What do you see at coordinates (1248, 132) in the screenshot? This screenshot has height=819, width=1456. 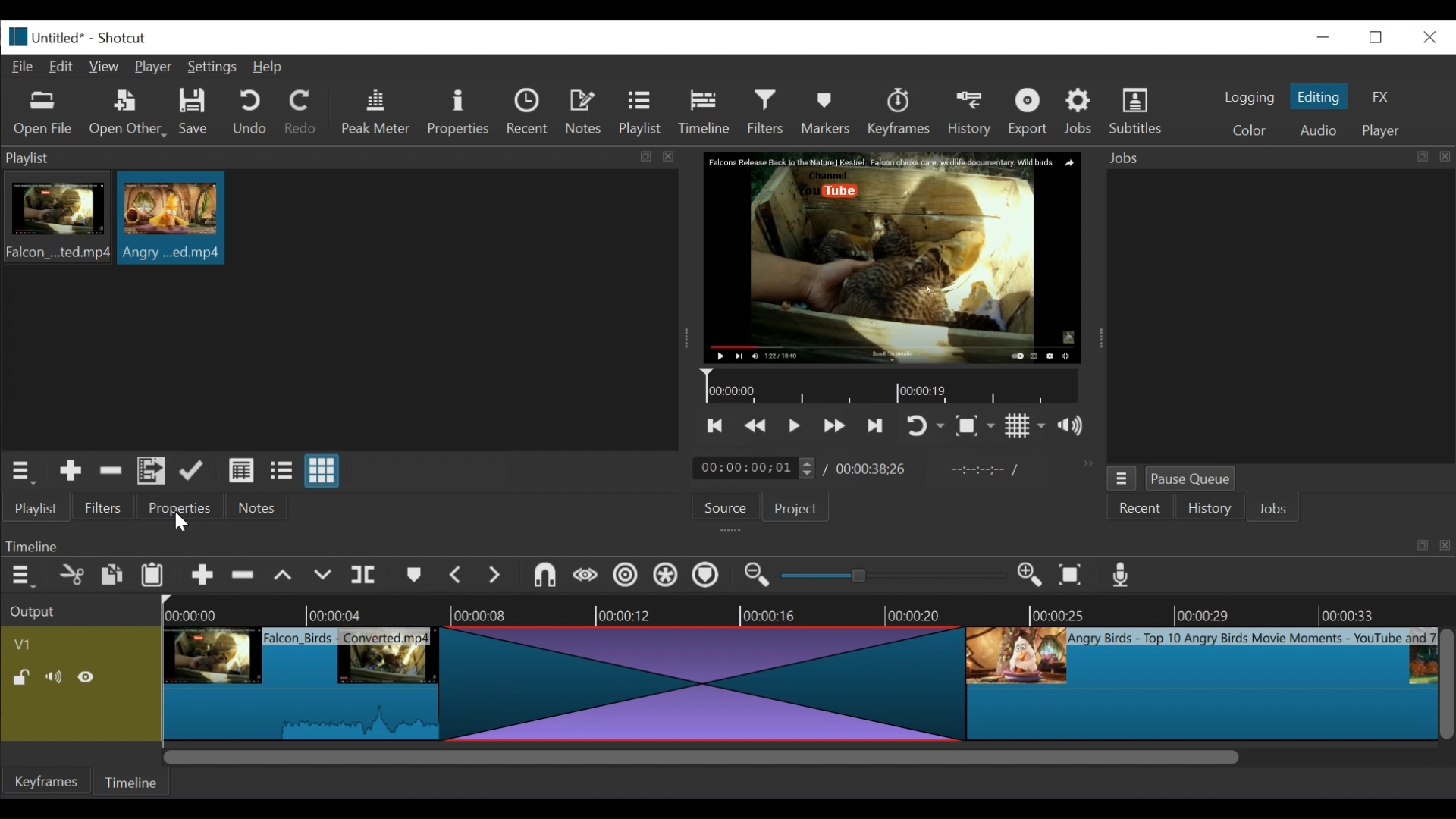 I see `color` at bounding box center [1248, 132].